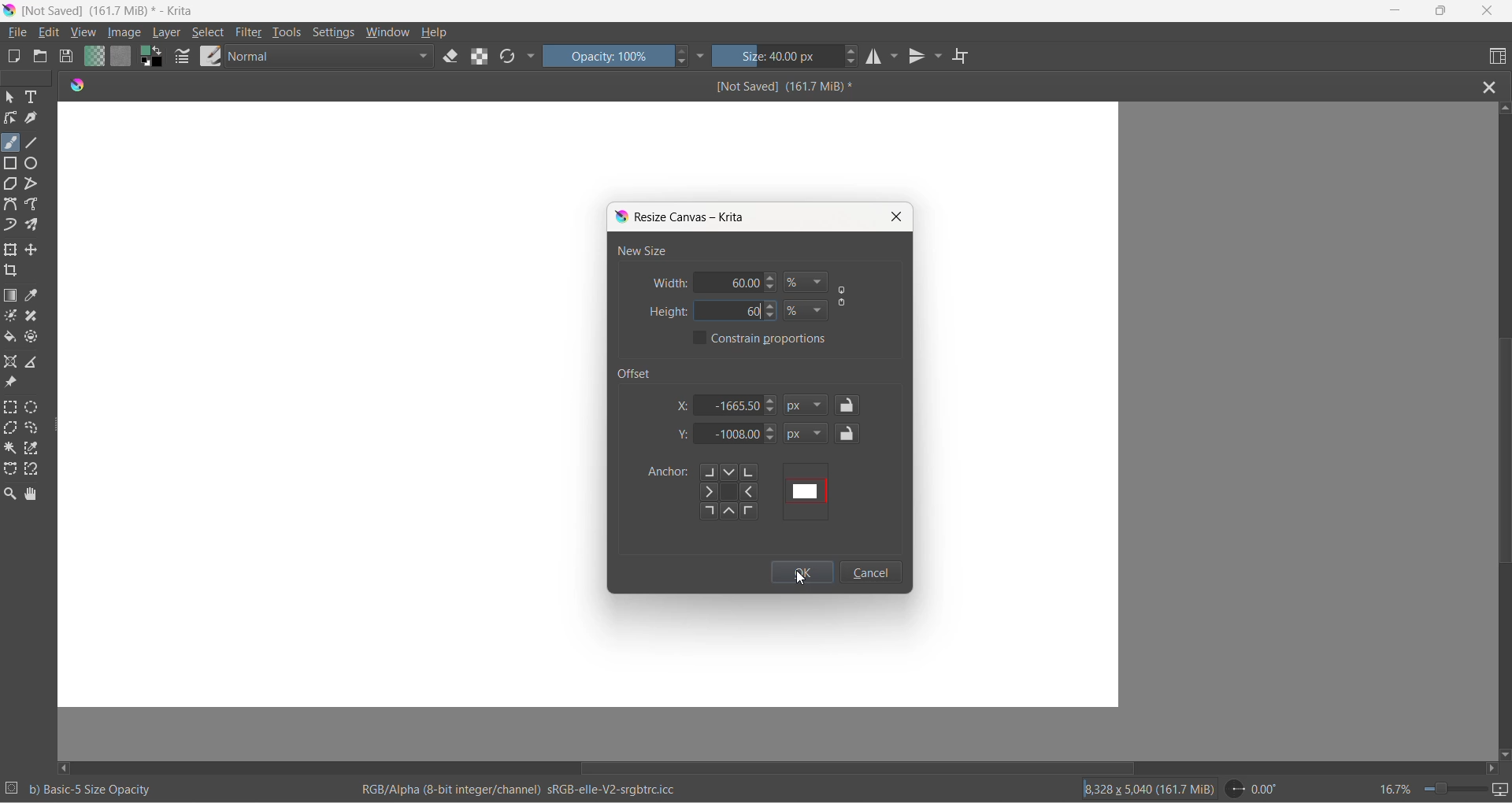  What do you see at coordinates (183, 60) in the screenshot?
I see `brush settings` at bounding box center [183, 60].